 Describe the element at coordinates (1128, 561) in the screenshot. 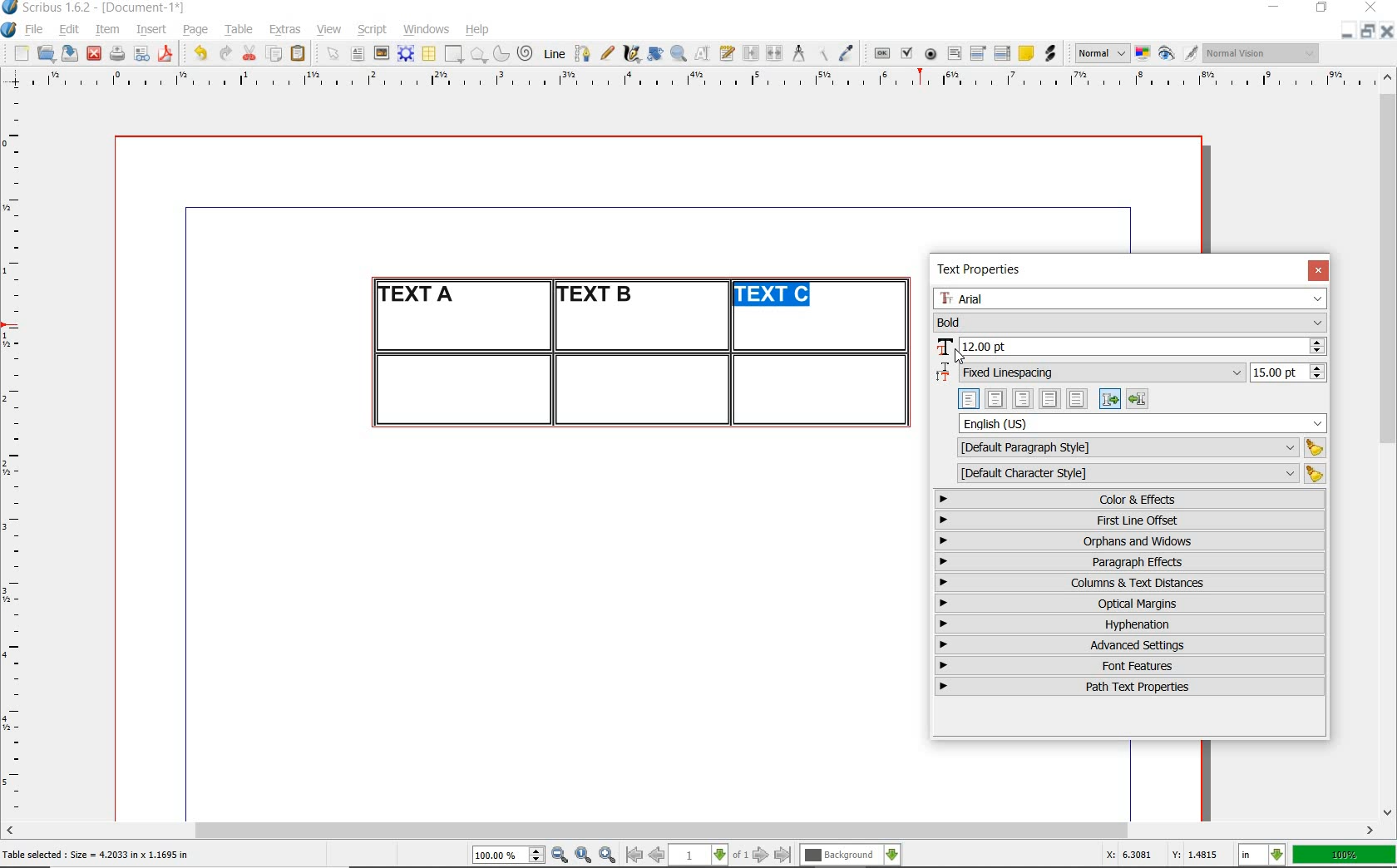

I see `paragraph effects` at that location.